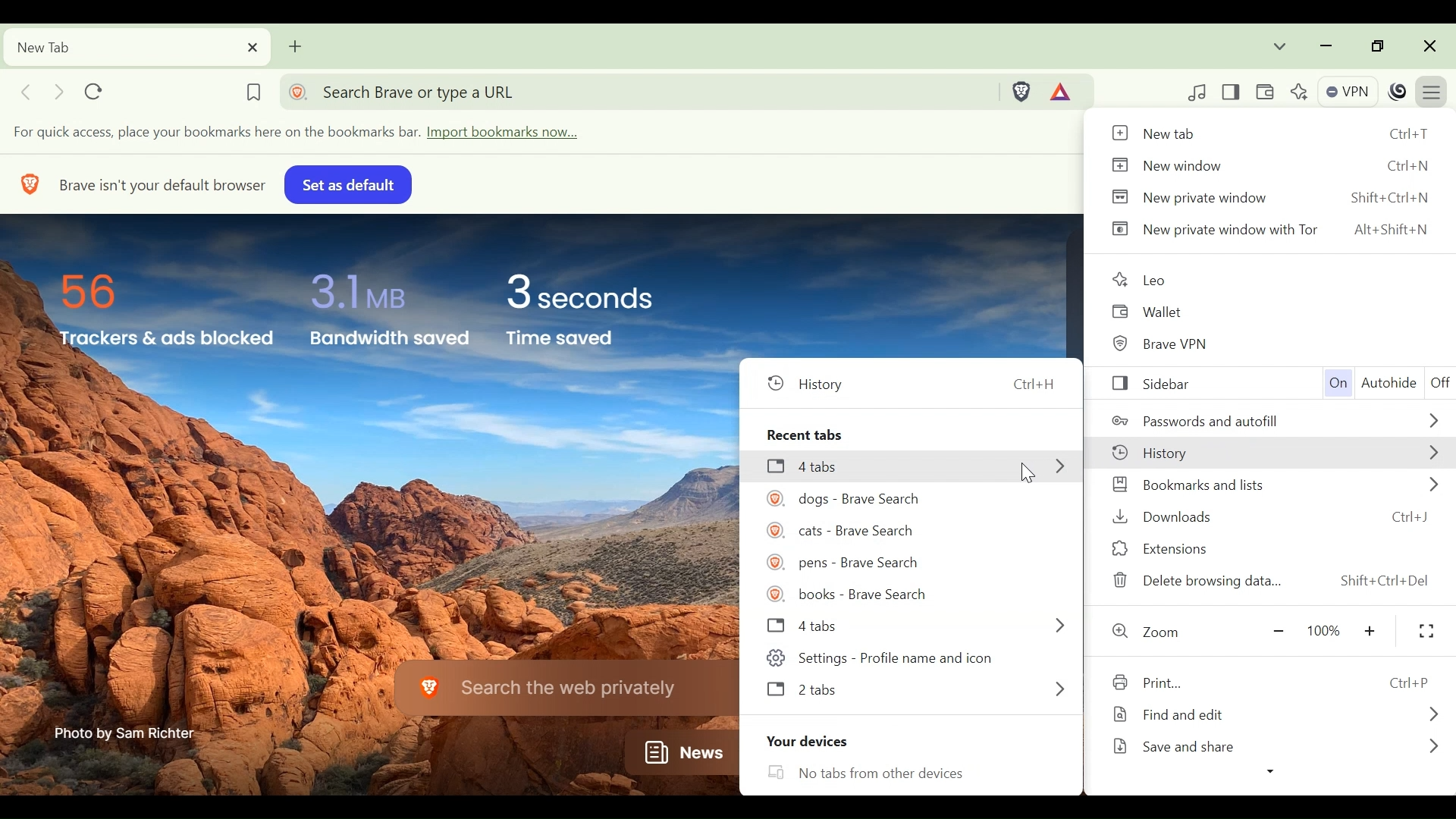 This screenshot has width=1456, height=819. I want to click on 56, so click(96, 288).